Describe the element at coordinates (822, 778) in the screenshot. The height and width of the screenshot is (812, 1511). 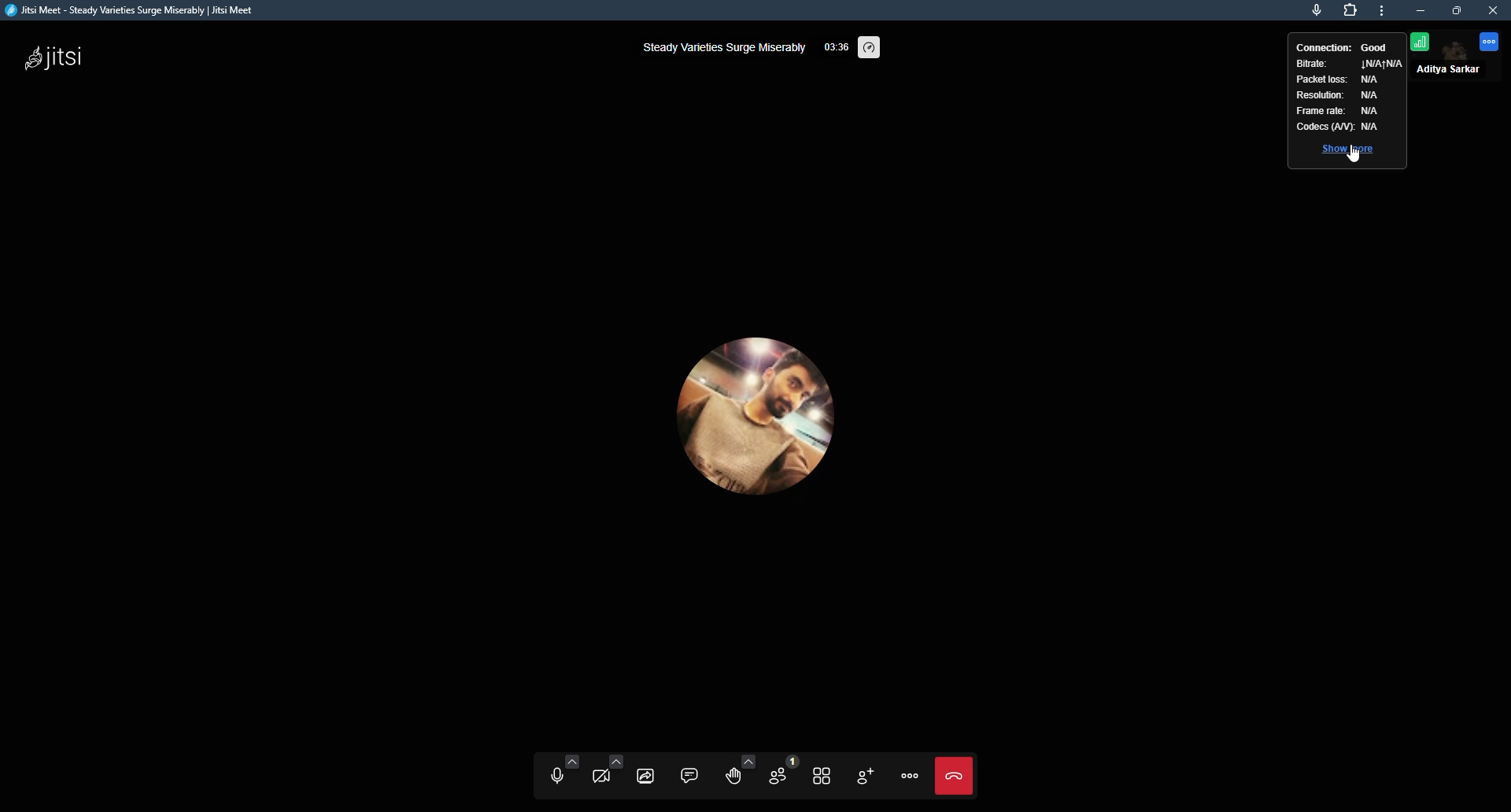
I see `toggle tile view` at that location.